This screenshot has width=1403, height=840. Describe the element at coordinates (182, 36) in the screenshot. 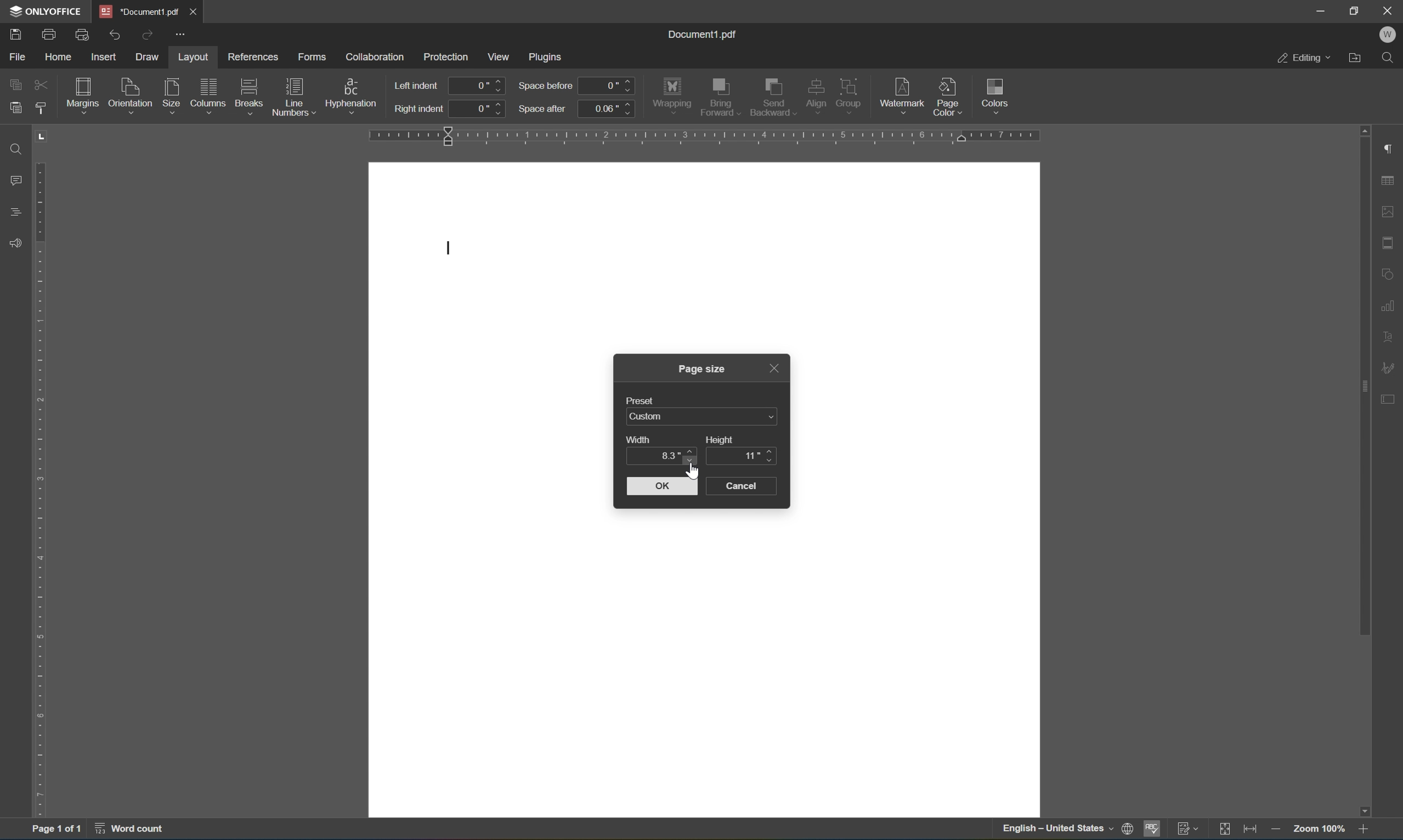

I see `customize quick access toolbar` at that location.